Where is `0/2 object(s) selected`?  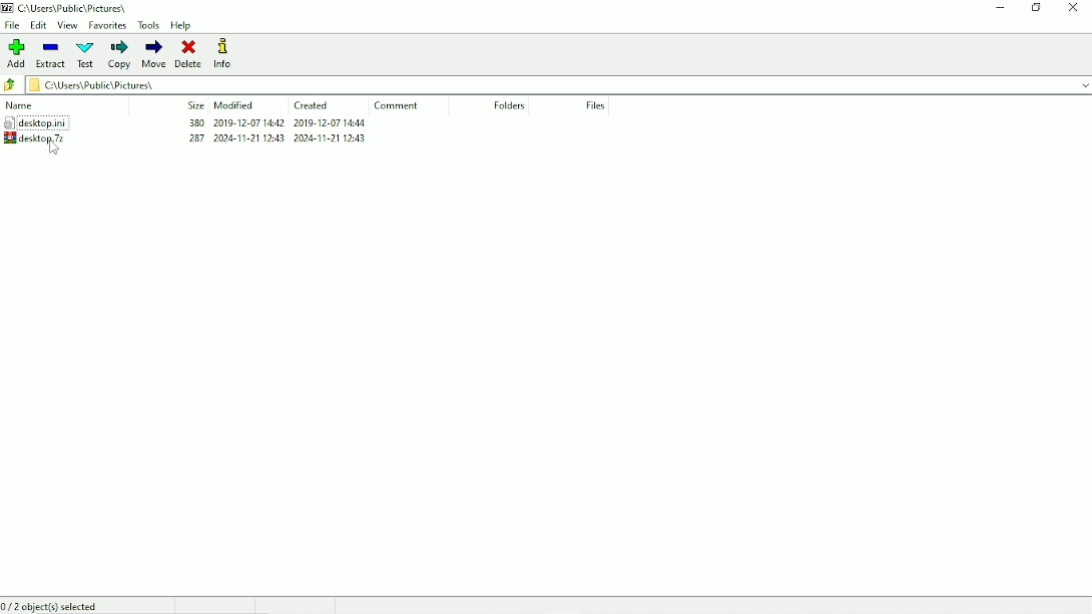
0/2 object(s) selected is located at coordinates (53, 606).